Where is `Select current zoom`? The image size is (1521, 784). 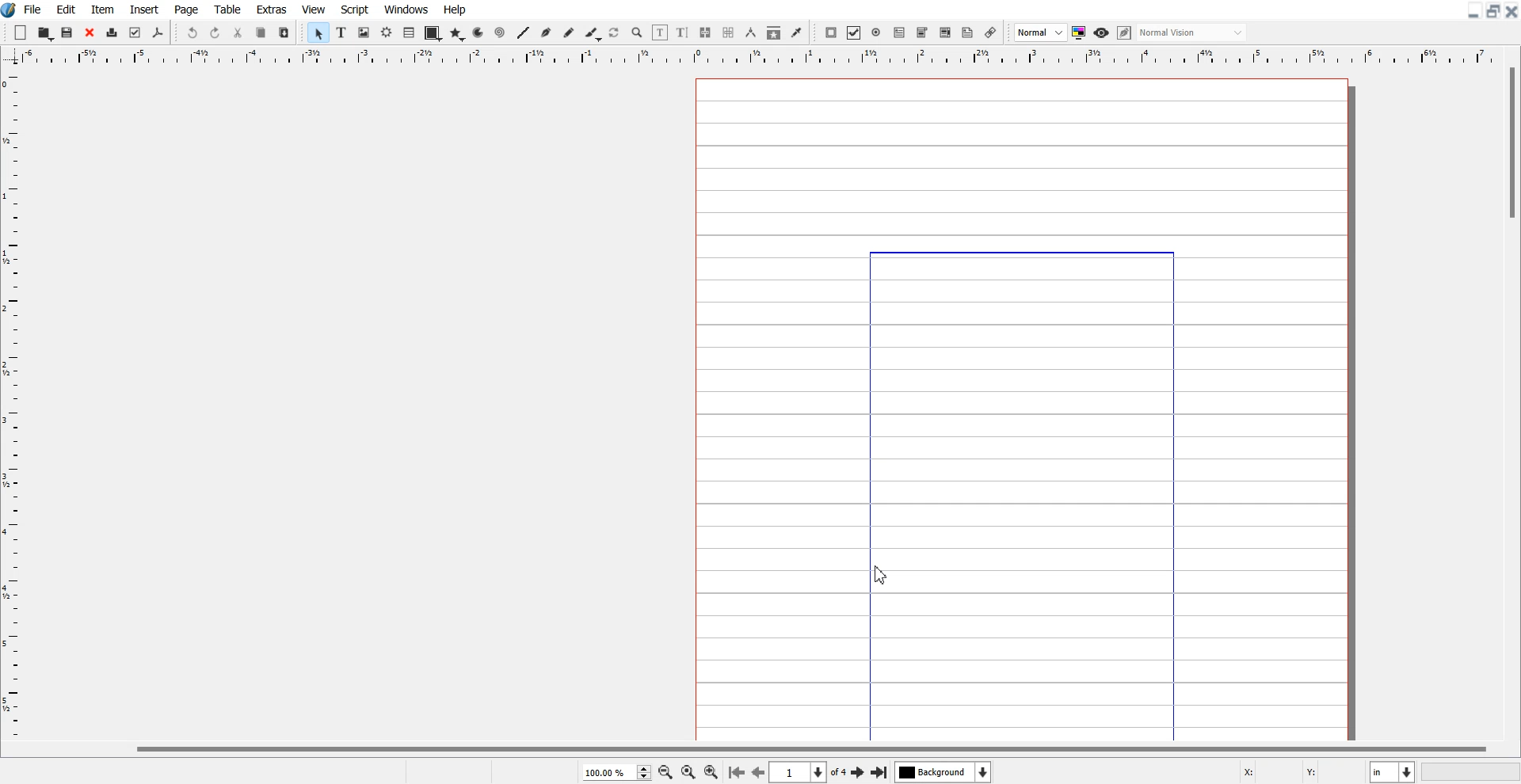
Select current zoom is located at coordinates (616, 771).